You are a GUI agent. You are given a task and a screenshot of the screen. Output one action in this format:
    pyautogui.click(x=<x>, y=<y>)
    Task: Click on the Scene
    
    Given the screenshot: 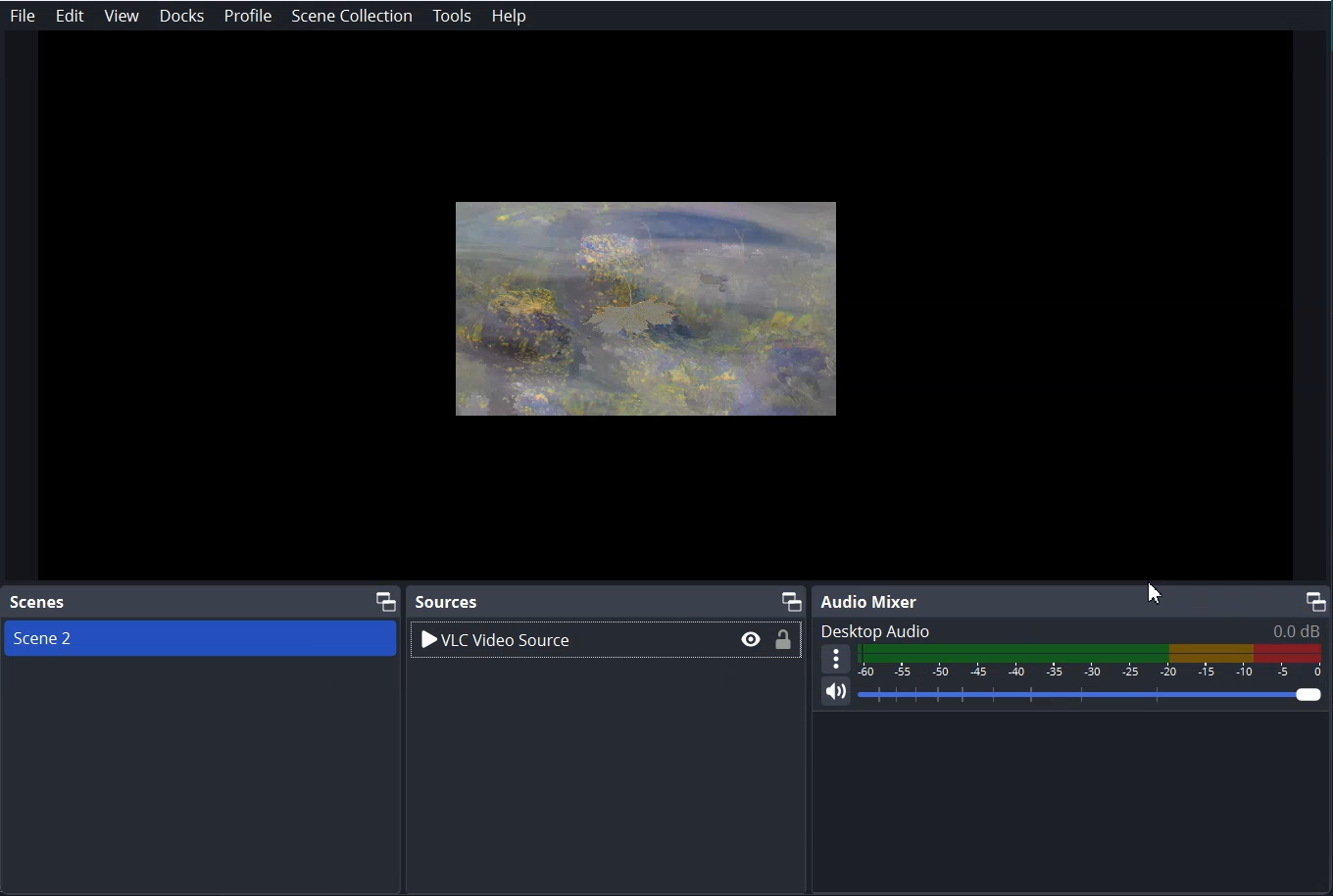 What is the action you would take?
    pyautogui.click(x=39, y=603)
    